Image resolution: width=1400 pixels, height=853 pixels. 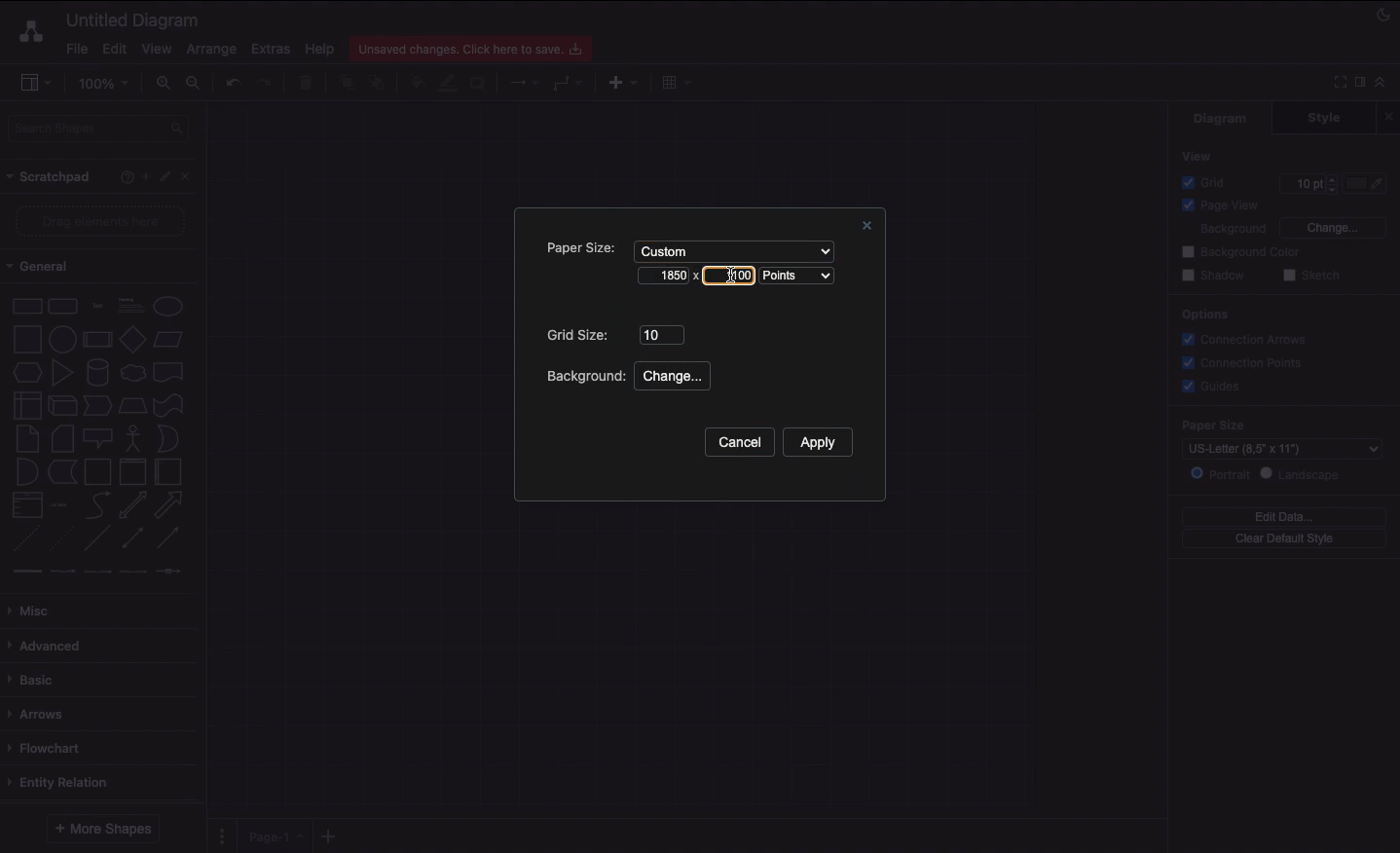 I want to click on Item list, so click(x=64, y=505).